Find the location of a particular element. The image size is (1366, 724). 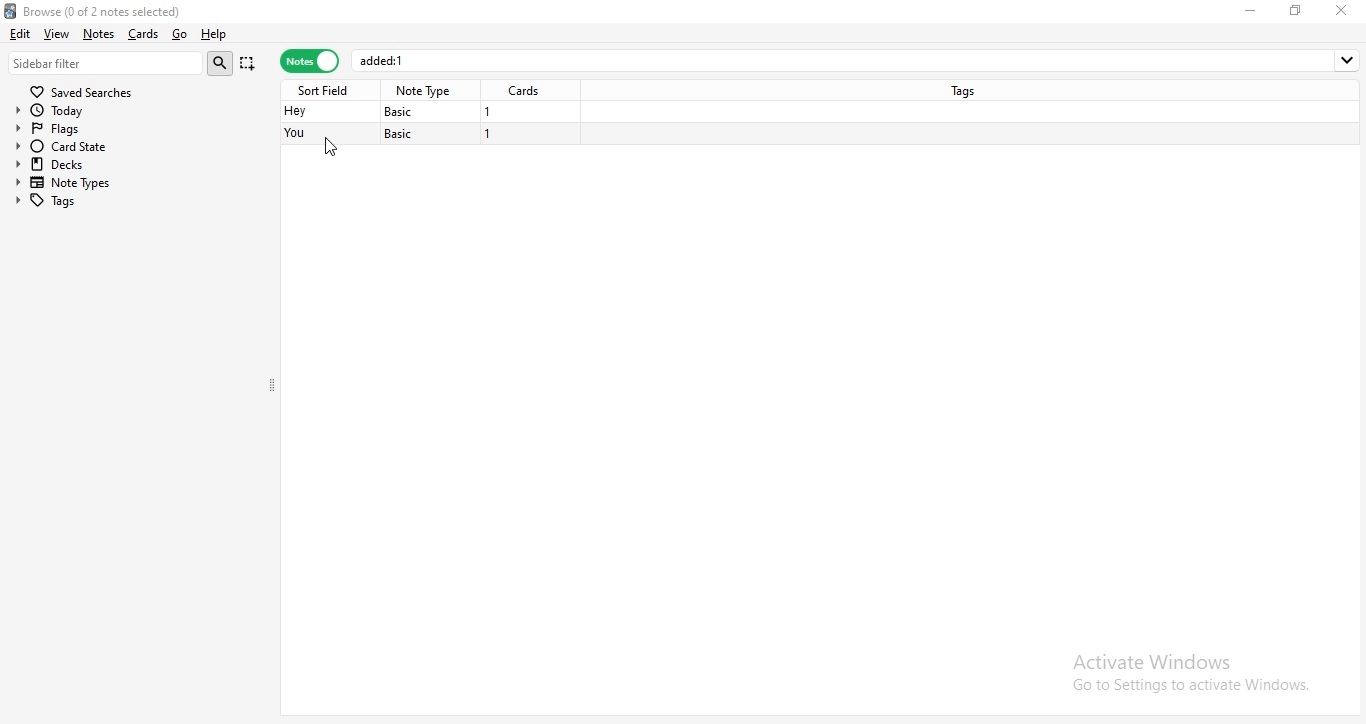

notes is located at coordinates (309, 62).